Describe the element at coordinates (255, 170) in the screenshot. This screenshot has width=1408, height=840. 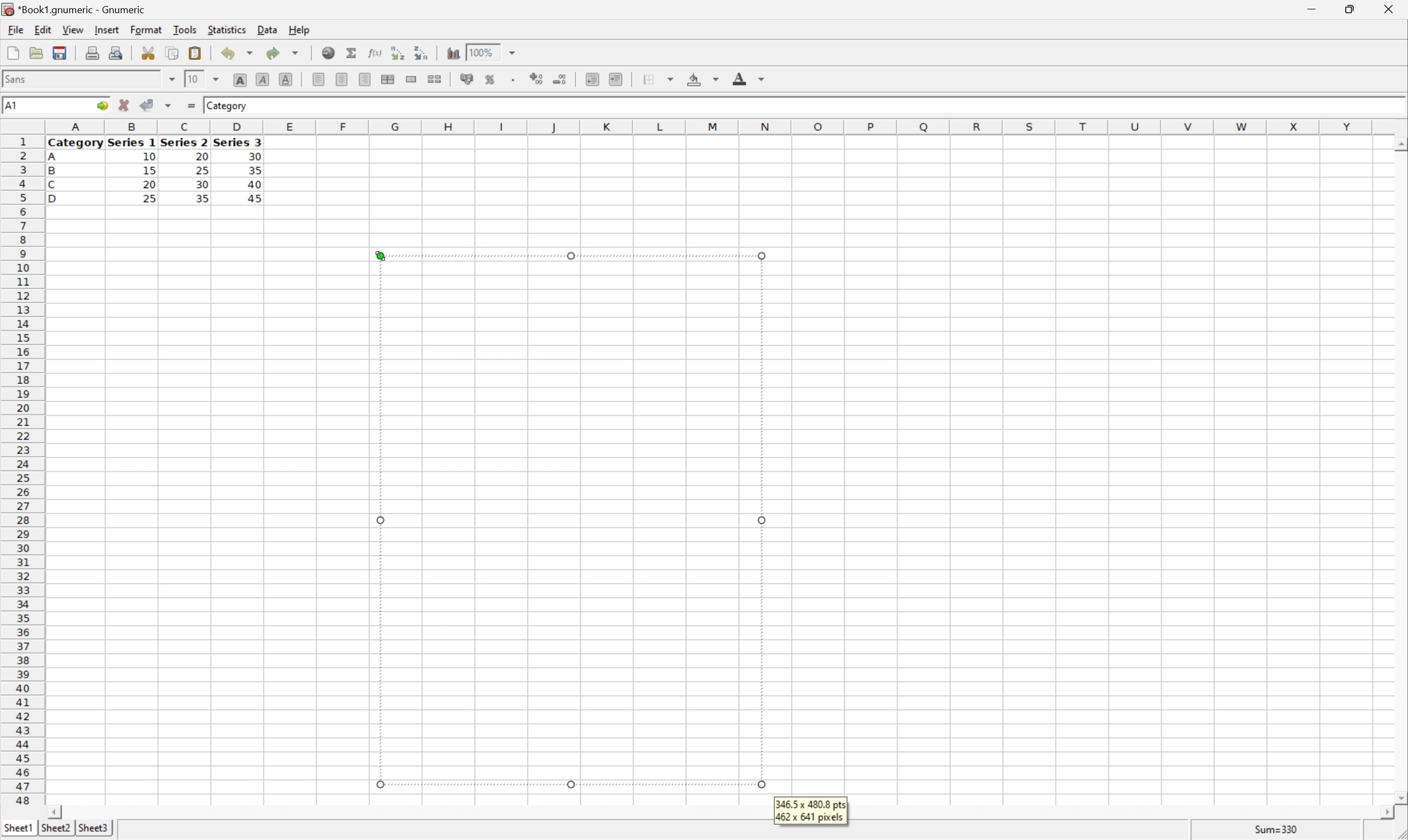
I see `35` at that location.